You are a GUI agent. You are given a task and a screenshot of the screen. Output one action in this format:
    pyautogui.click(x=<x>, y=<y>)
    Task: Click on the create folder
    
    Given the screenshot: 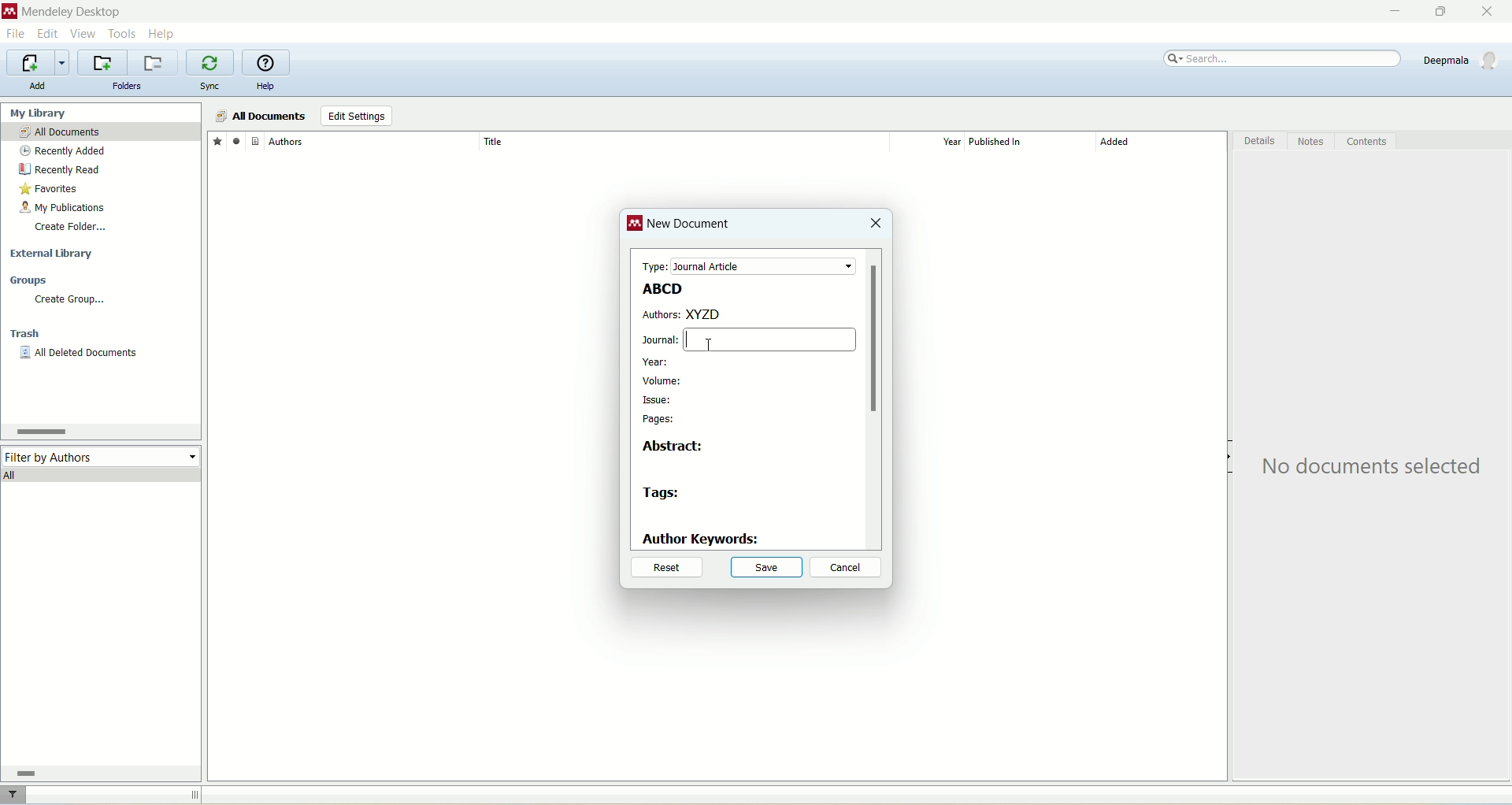 What is the action you would take?
    pyautogui.click(x=70, y=226)
    